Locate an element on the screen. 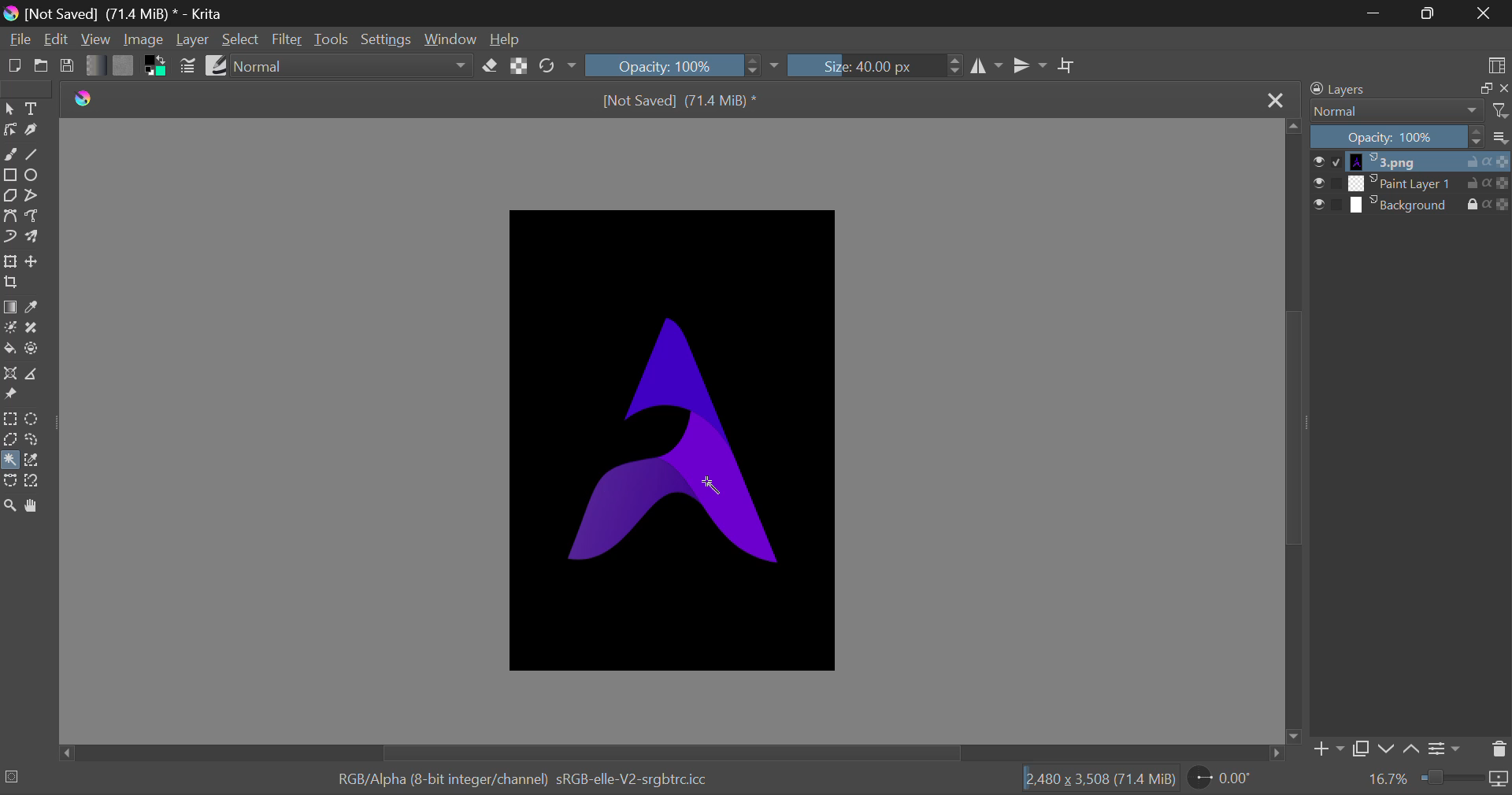 This screenshot has width=1512, height=795. logo is located at coordinates (13, 15).